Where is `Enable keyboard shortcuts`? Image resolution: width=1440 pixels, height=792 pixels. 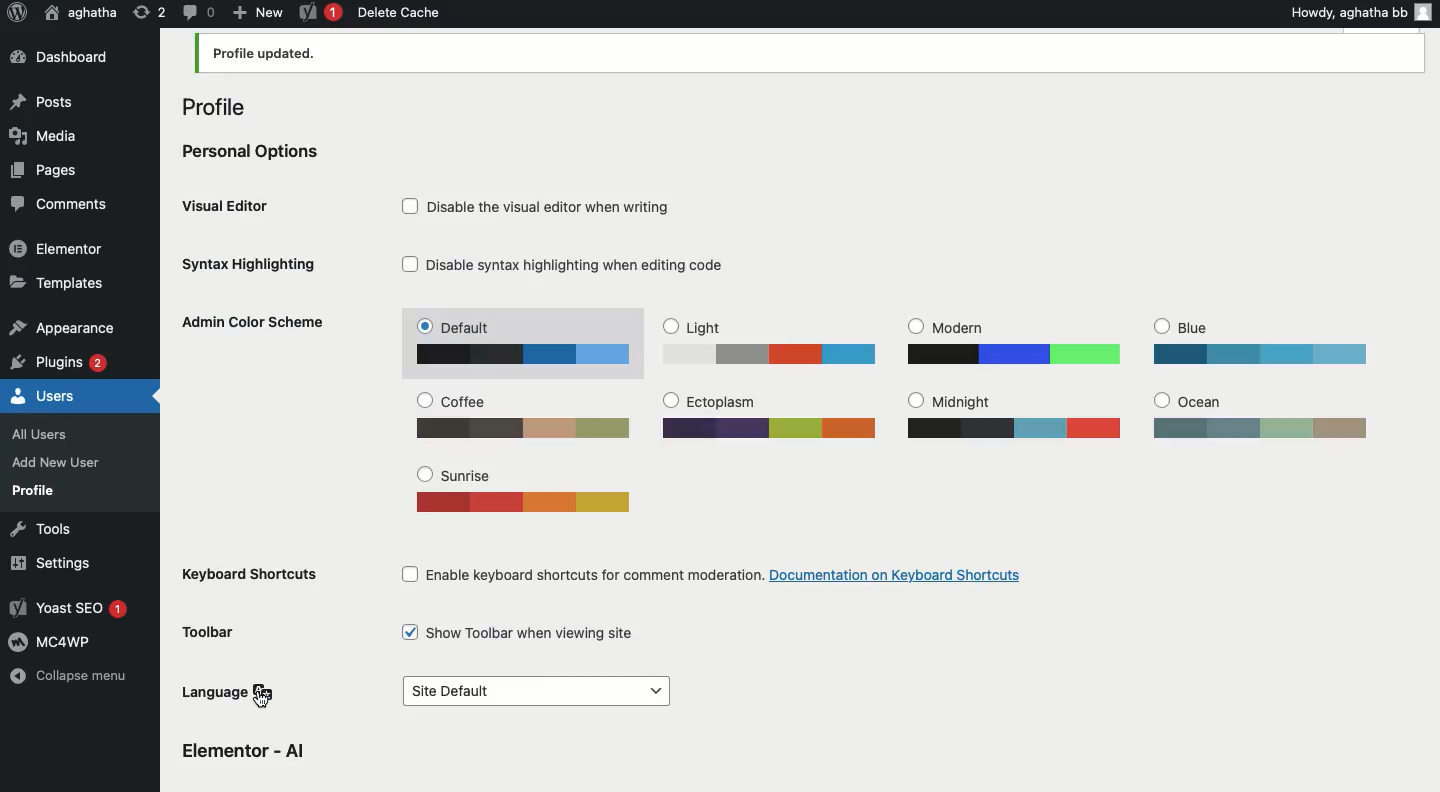
Enable keyboard shortcuts is located at coordinates (719, 571).